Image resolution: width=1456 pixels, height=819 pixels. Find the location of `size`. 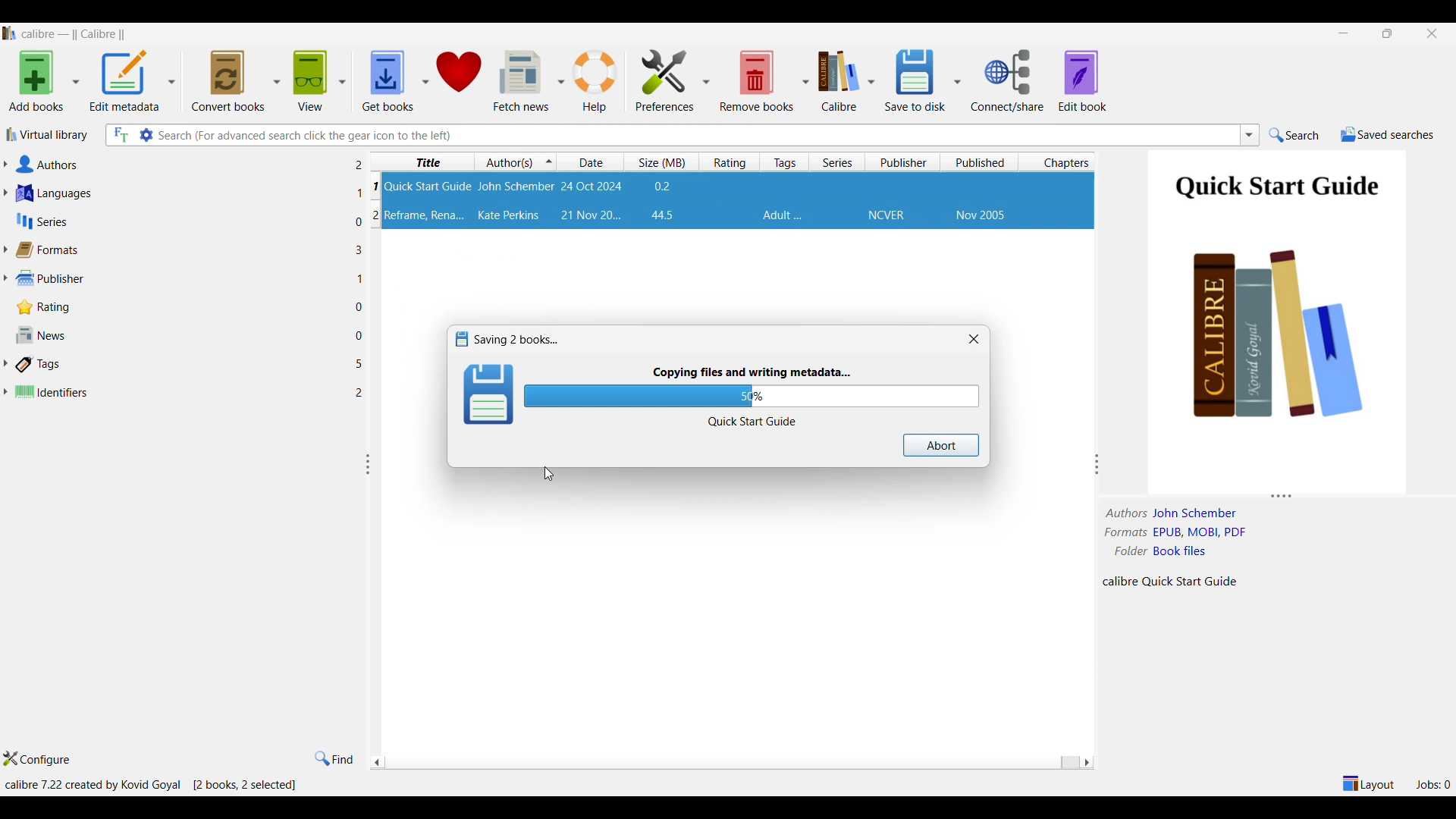

size is located at coordinates (663, 187).